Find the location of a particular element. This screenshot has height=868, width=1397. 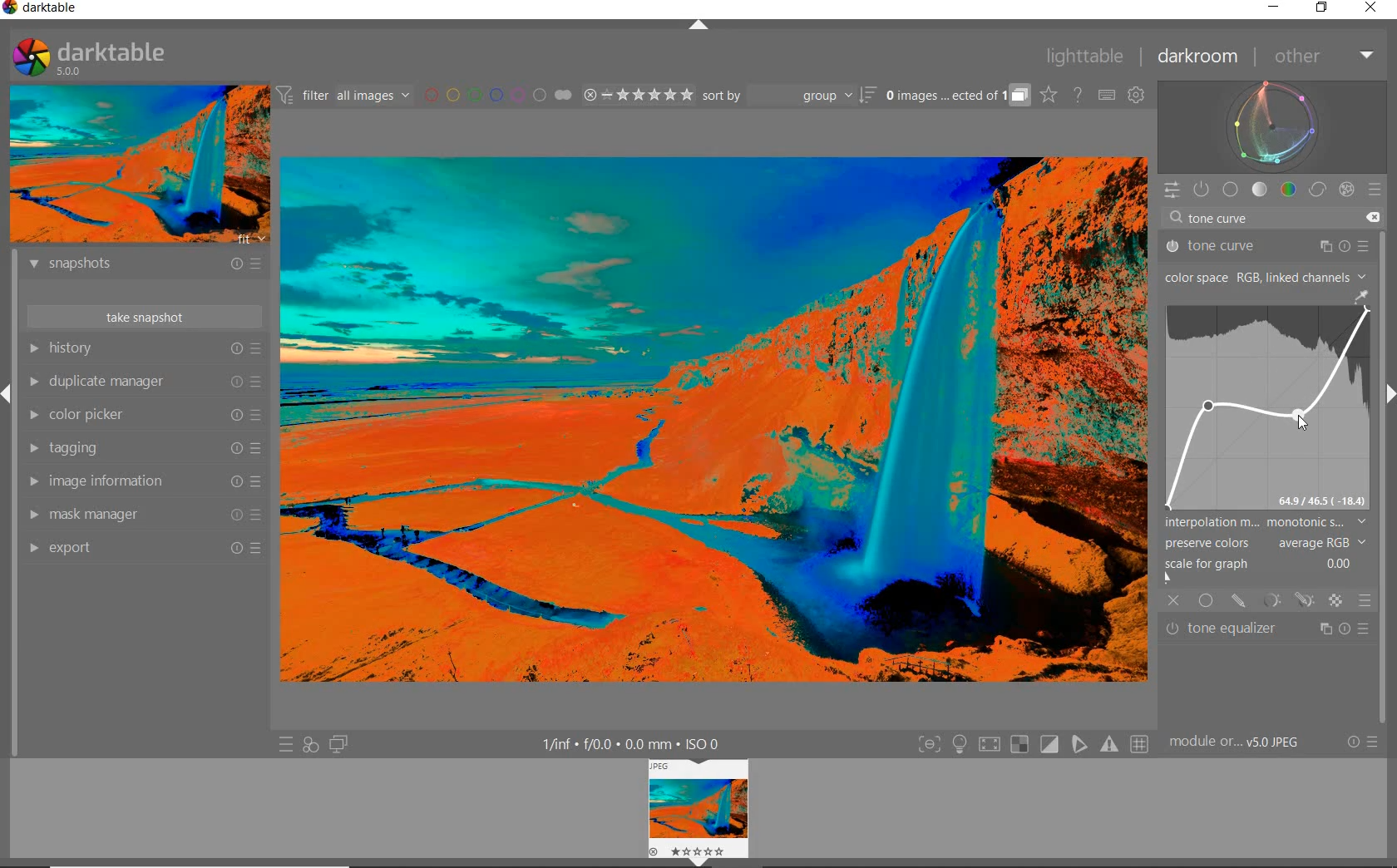

base is located at coordinates (1232, 189).